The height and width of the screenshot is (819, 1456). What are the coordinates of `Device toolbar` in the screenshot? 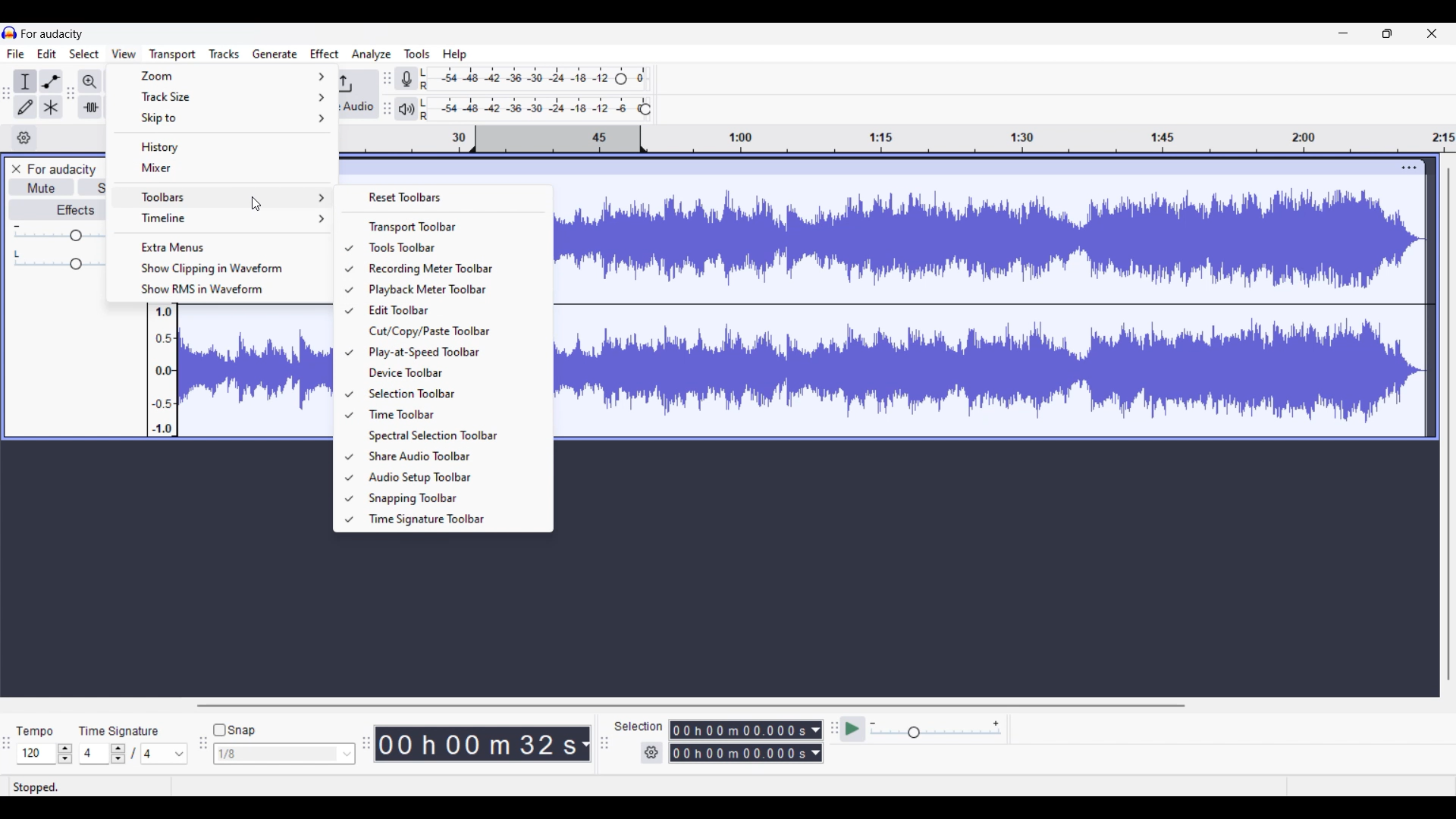 It's located at (451, 373).